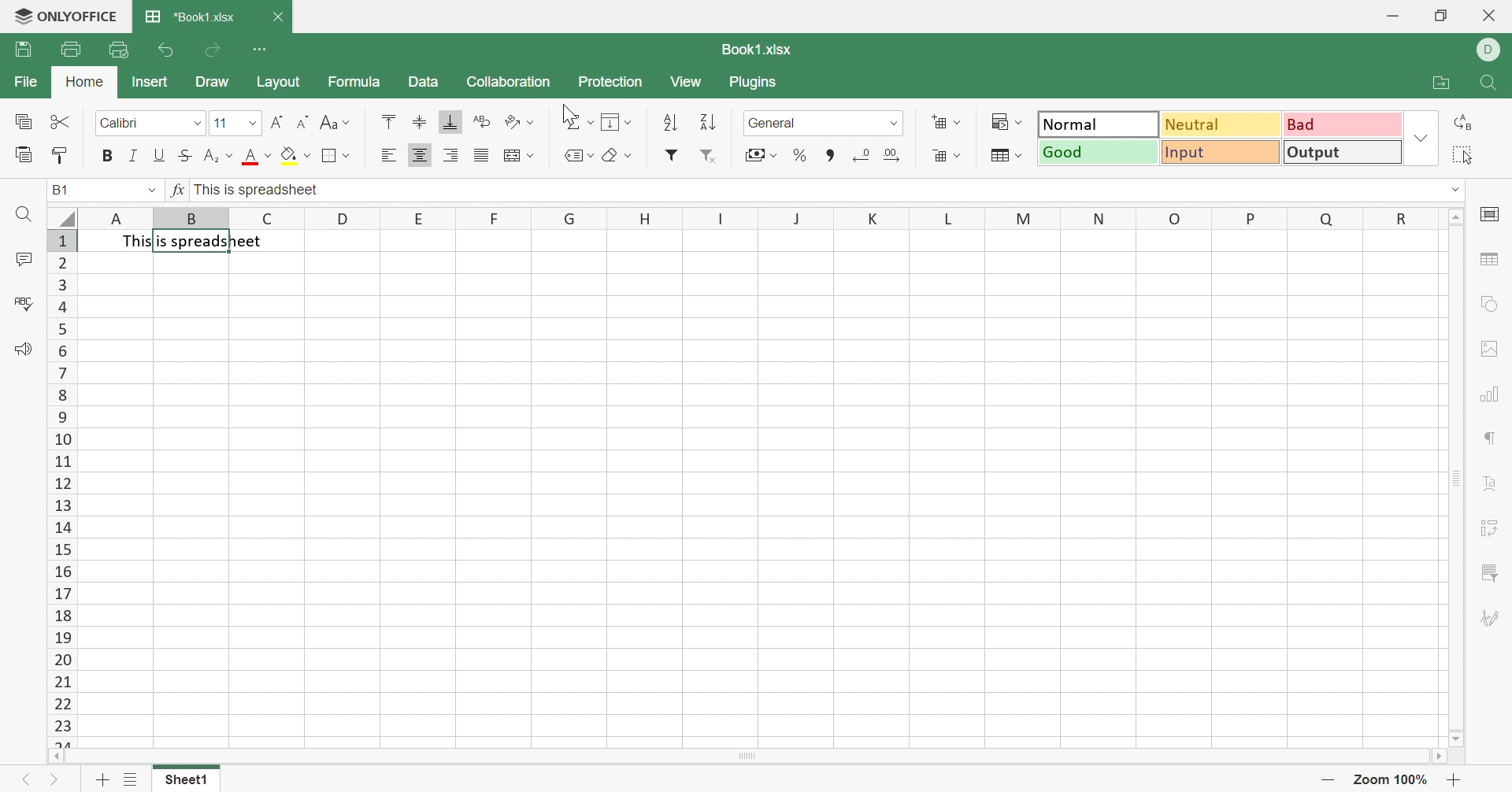 The height and width of the screenshot is (792, 1512). Describe the element at coordinates (168, 50) in the screenshot. I see `Undo` at that location.